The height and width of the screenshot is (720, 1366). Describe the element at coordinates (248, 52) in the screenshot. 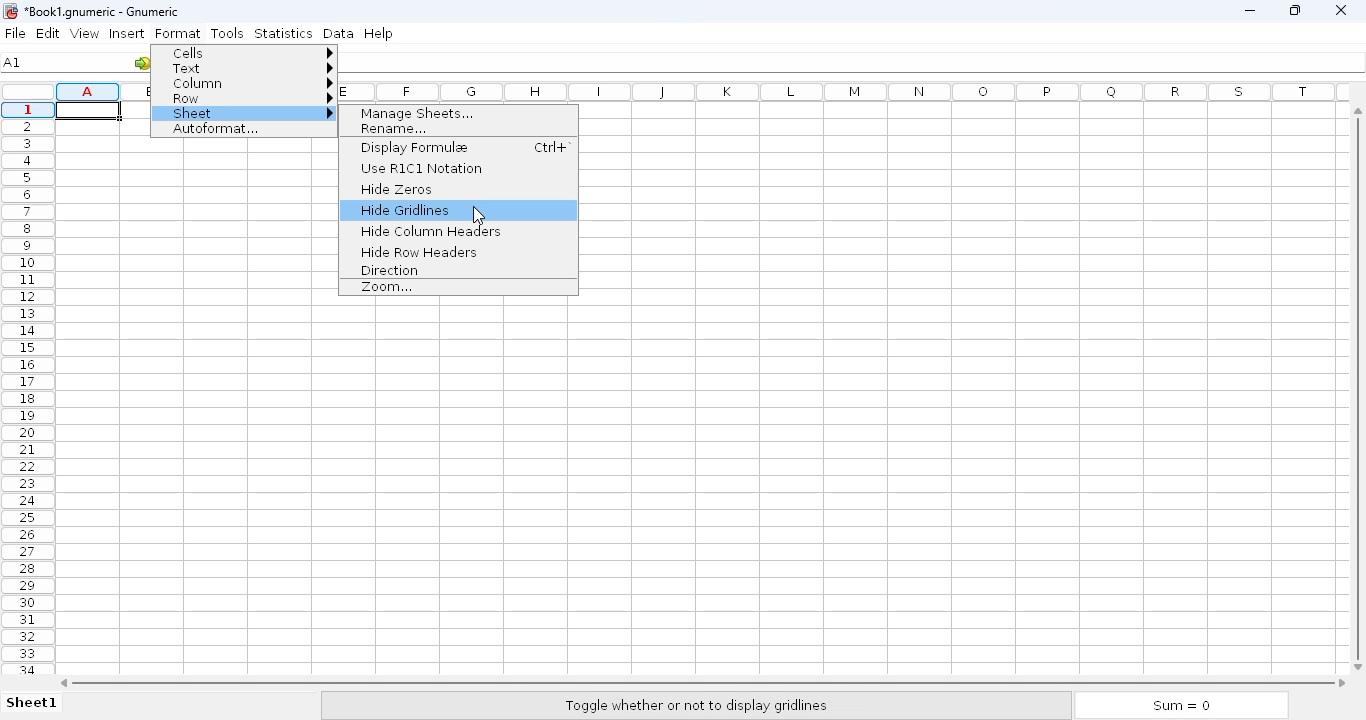

I see `cells` at that location.